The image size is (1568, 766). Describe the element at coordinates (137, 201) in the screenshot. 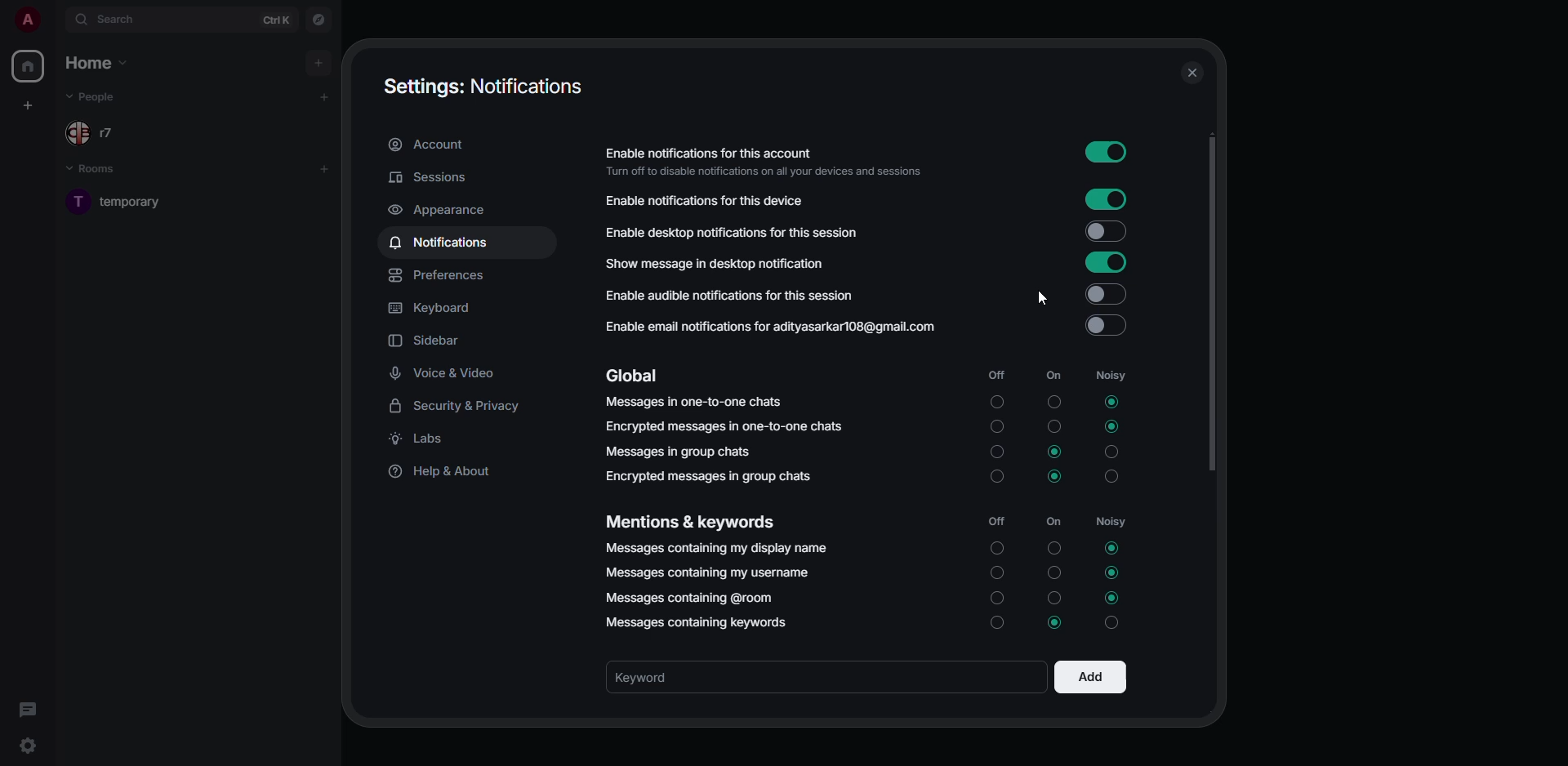

I see `room` at that location.